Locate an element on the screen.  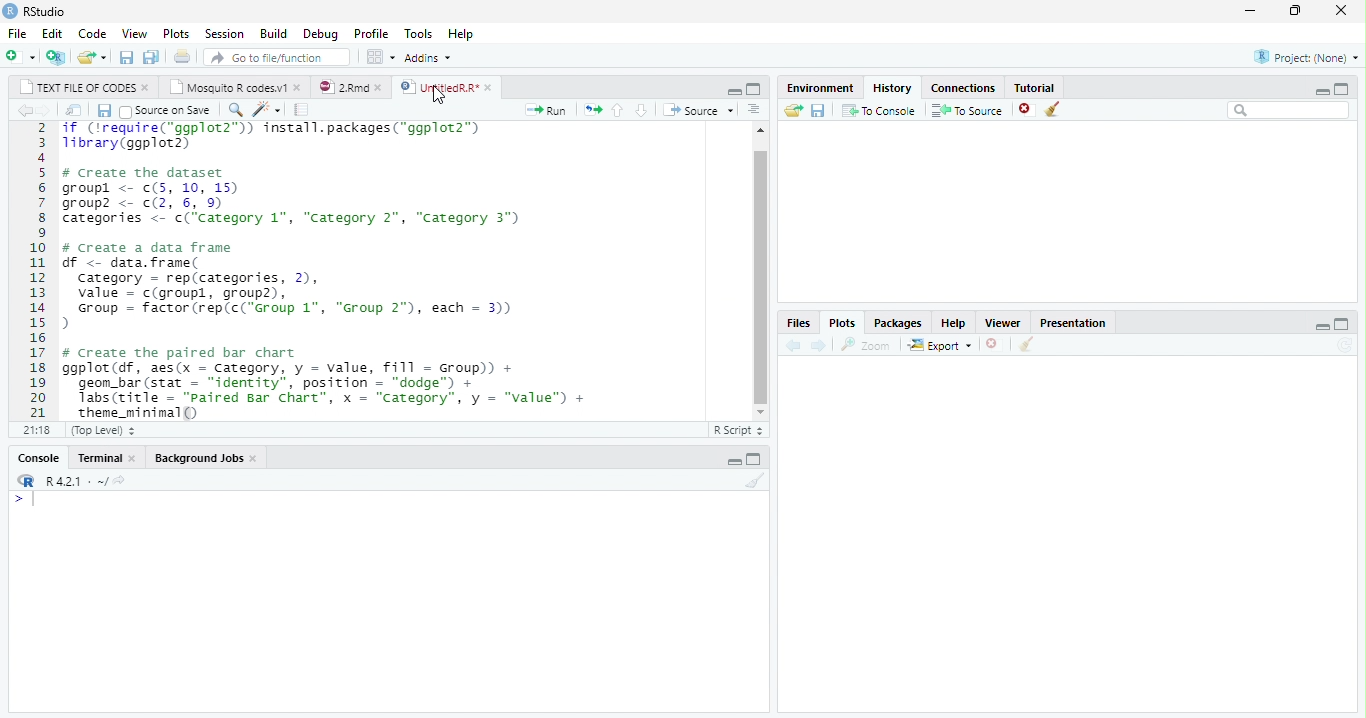
presentation is located at coordinates (1083, 321).